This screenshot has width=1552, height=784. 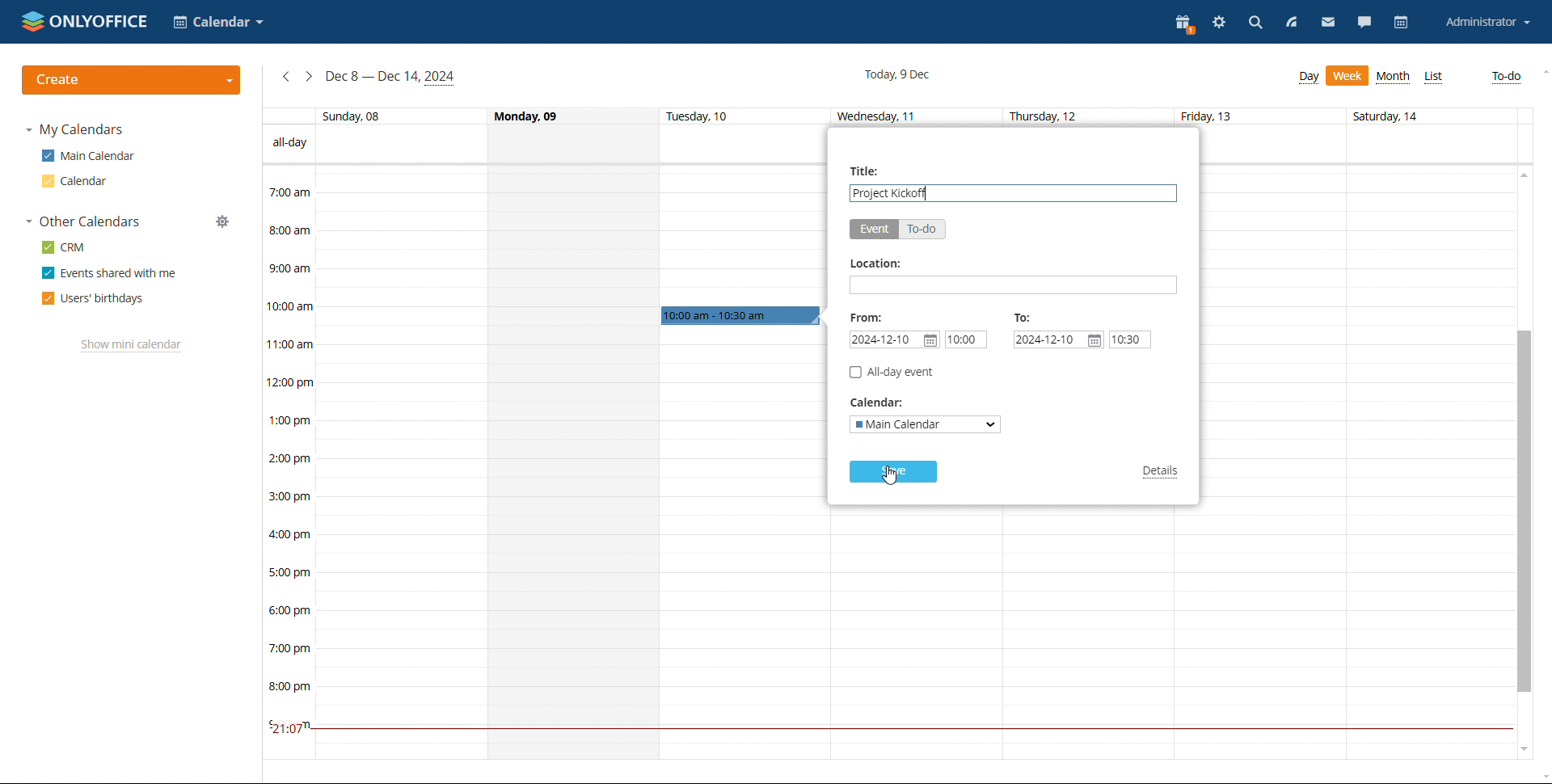 What do you see at coordinates (888, 116) in the screenshot?
I see `days` at bounding box center [888, 116].